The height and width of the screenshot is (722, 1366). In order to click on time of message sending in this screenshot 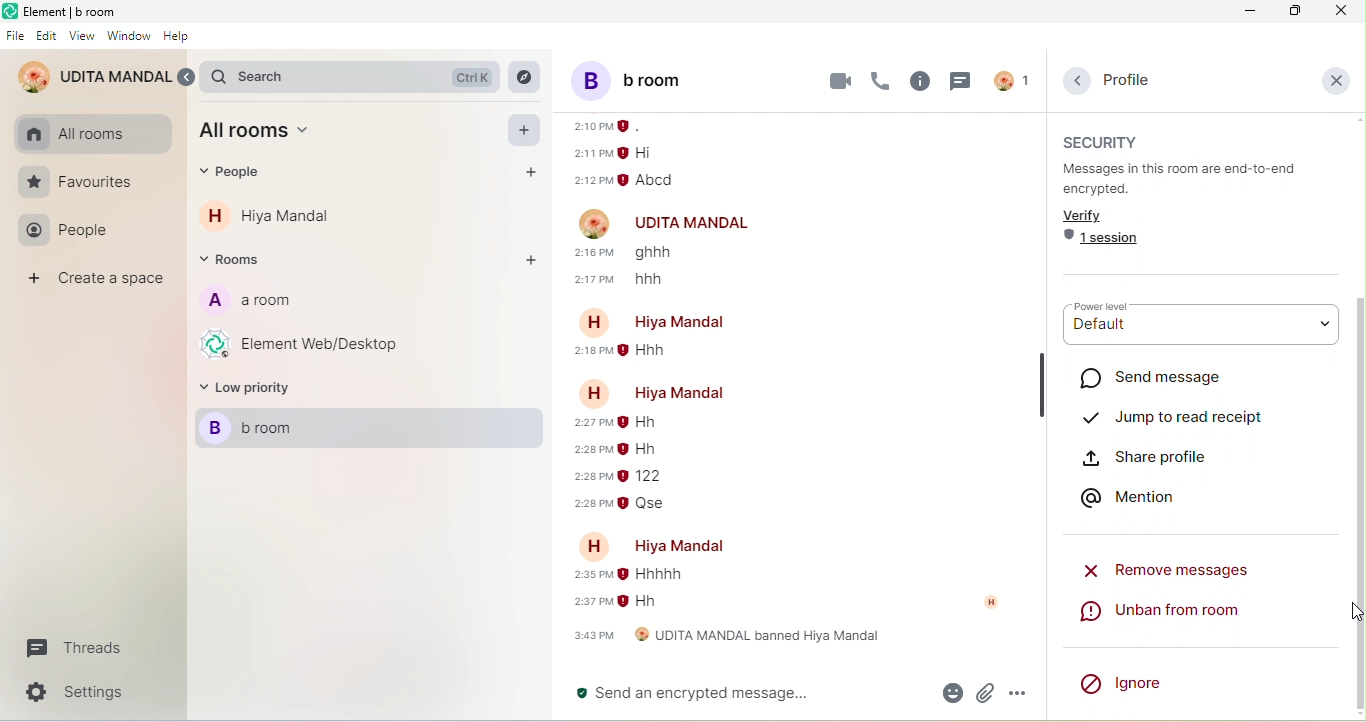, I will do `click(591, 153)`.